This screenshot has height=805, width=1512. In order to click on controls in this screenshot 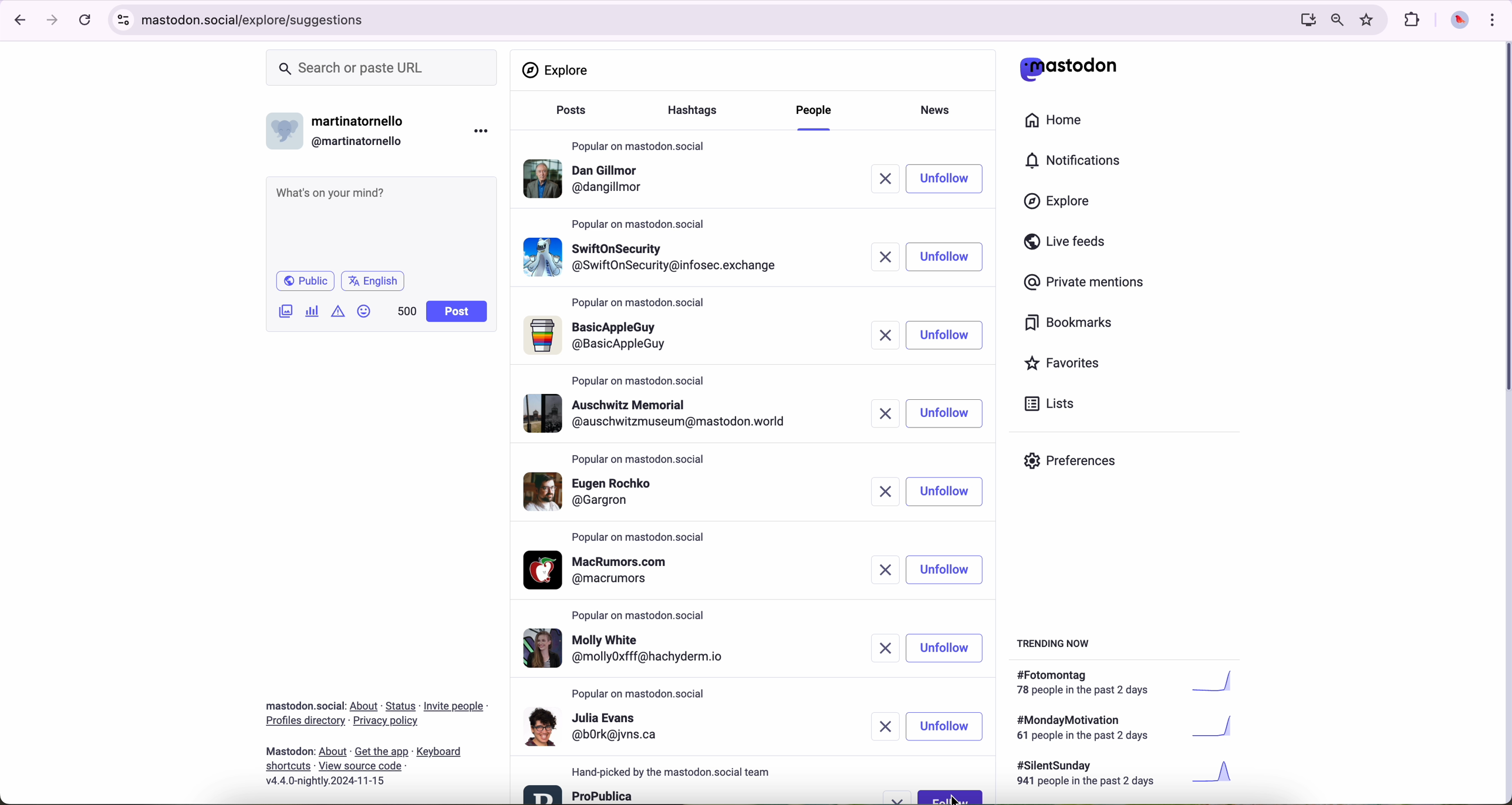, I will do `click(124, 20)`.